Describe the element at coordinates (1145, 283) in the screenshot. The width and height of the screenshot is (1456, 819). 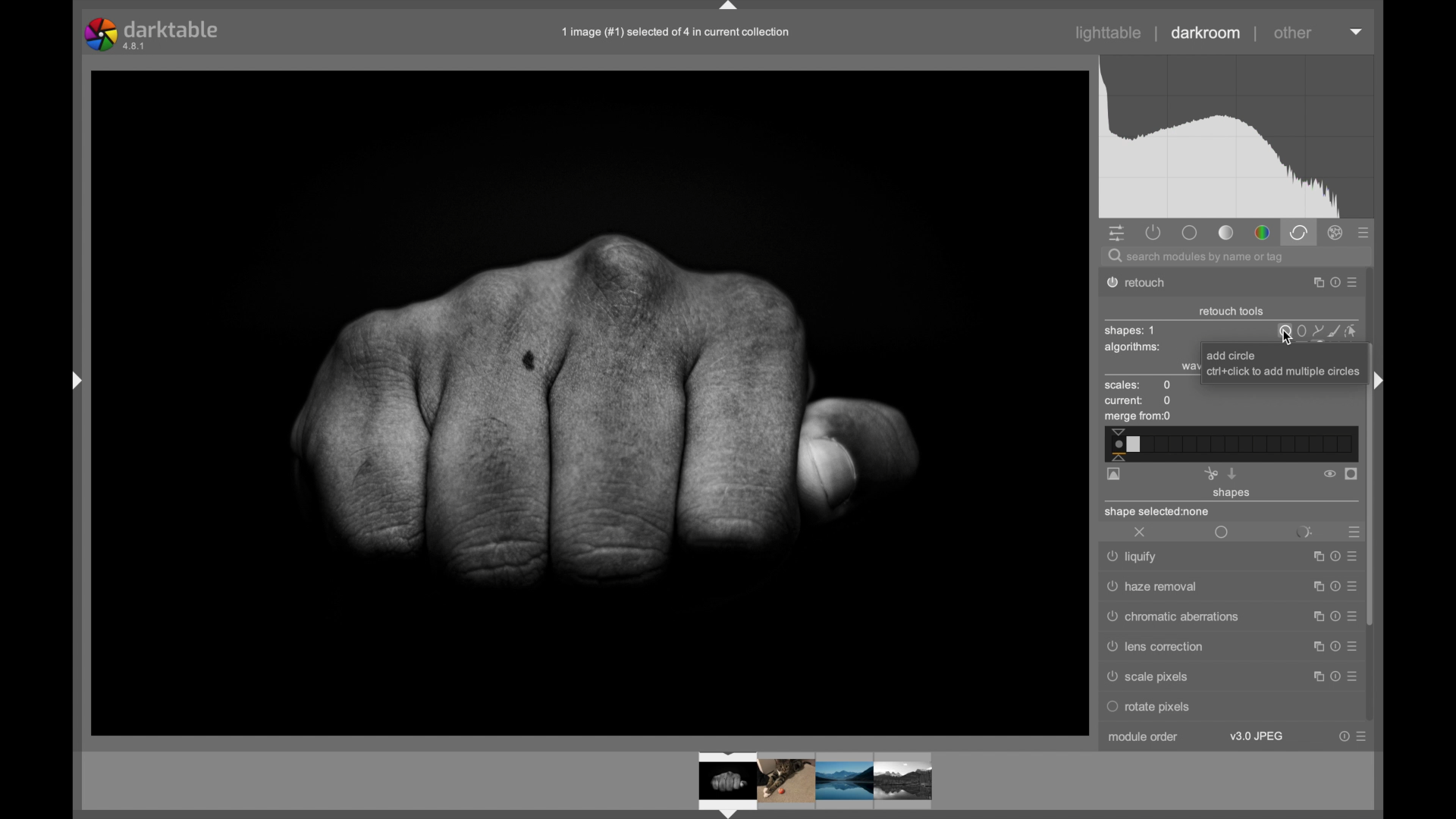
I see `retouch` at that location.